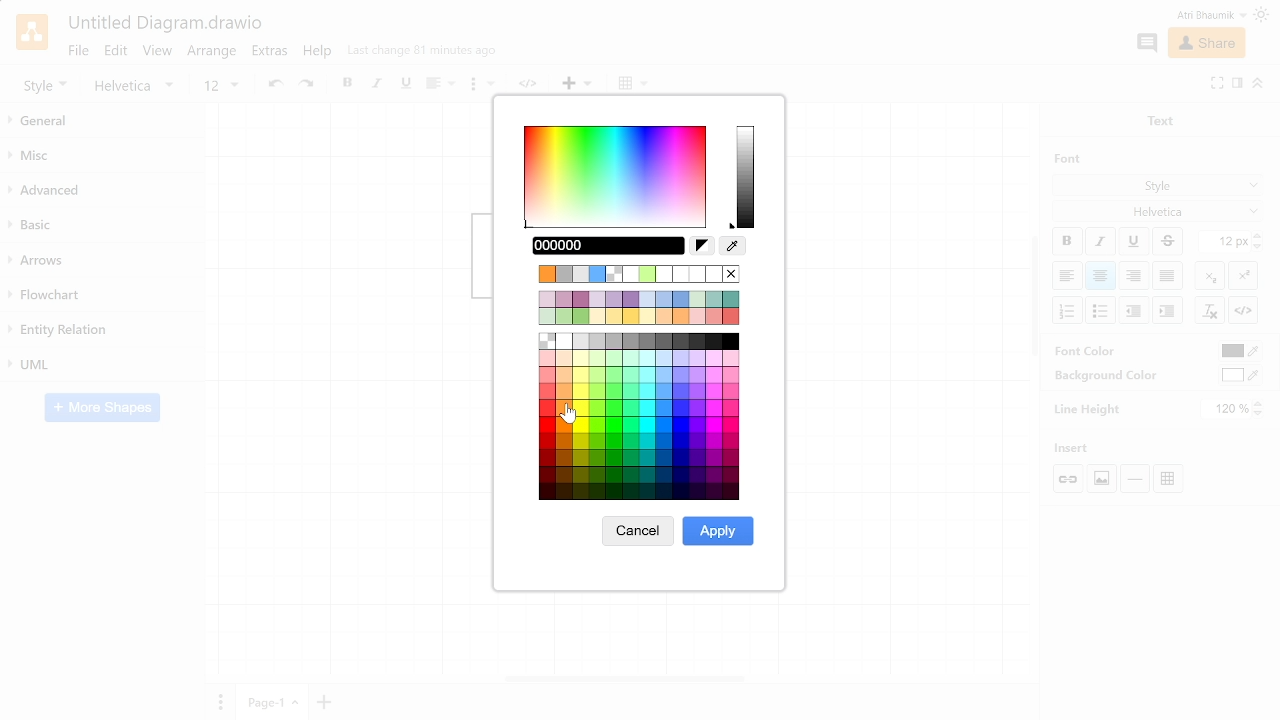 This screenshot has width=1280, height=720. What do you see at coordinates (1239, 352) in the screenshot?
I see `Font color` at bounding box center [1239, 352].